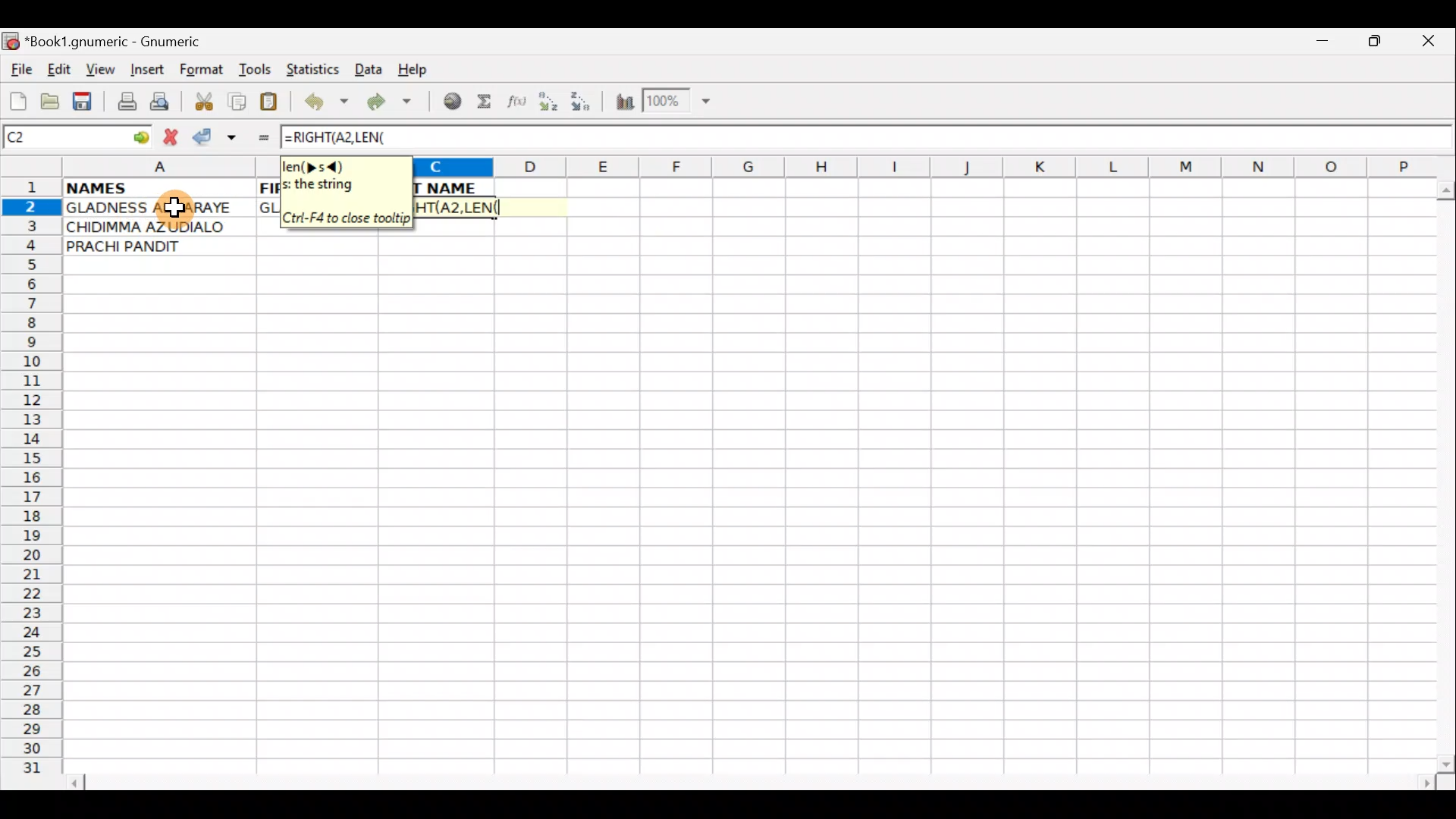 Image resolution: width=1456 pixels, height=819 pixels. What do you see at coordinates (96, 69) in the screenshot?
I see `View` at bounding box center [96, 69].